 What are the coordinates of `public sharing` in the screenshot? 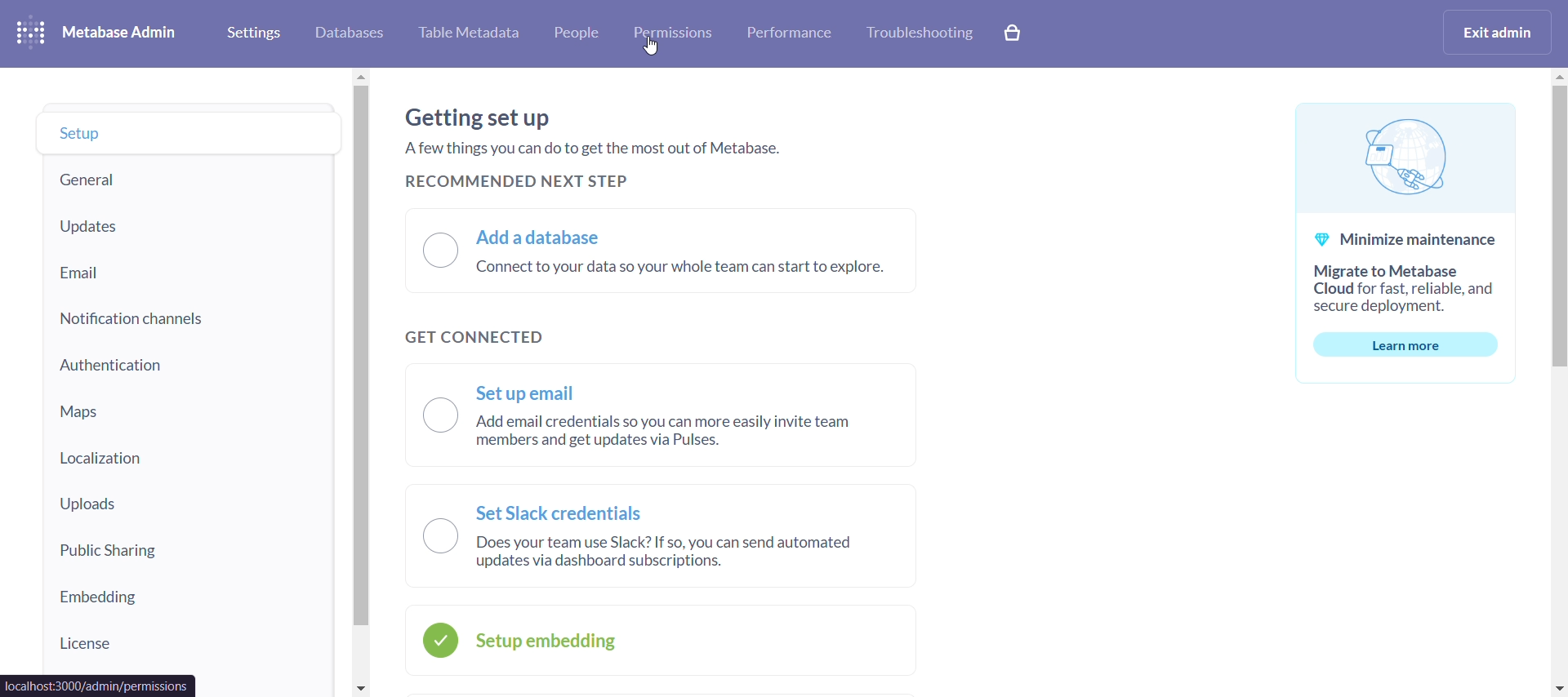 It's located at (187, 551).